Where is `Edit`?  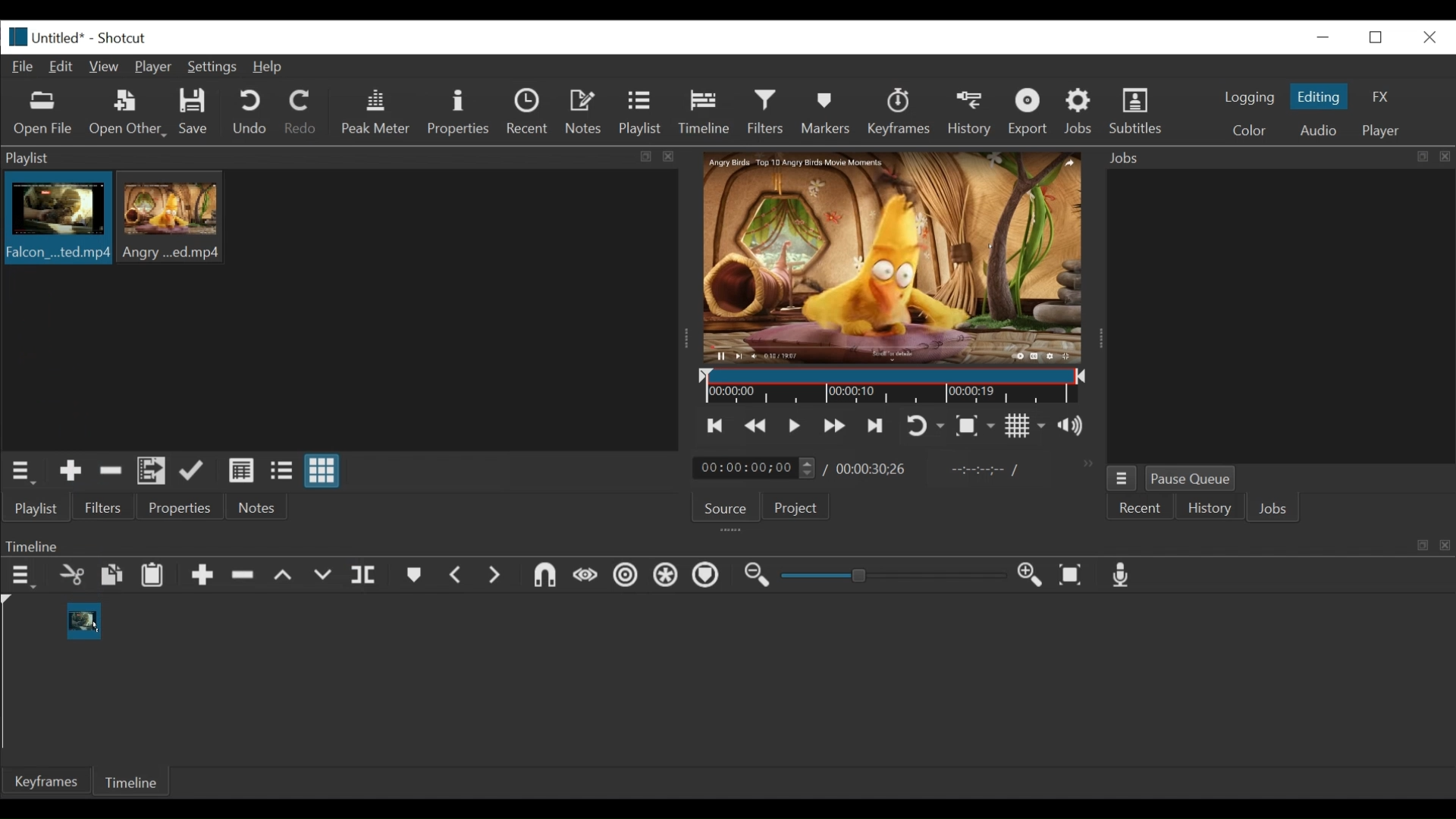
Edit is located at coordinates (64, 65).